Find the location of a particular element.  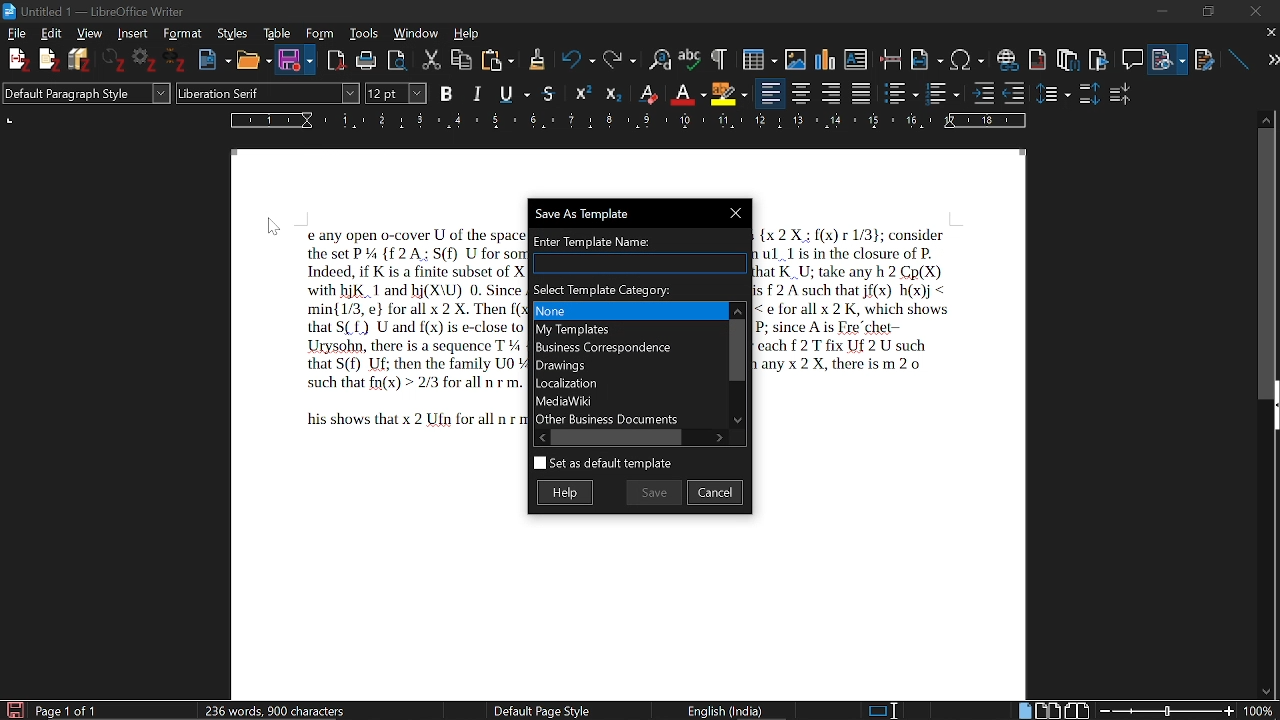

Categories is located at coordinates (626, 364).